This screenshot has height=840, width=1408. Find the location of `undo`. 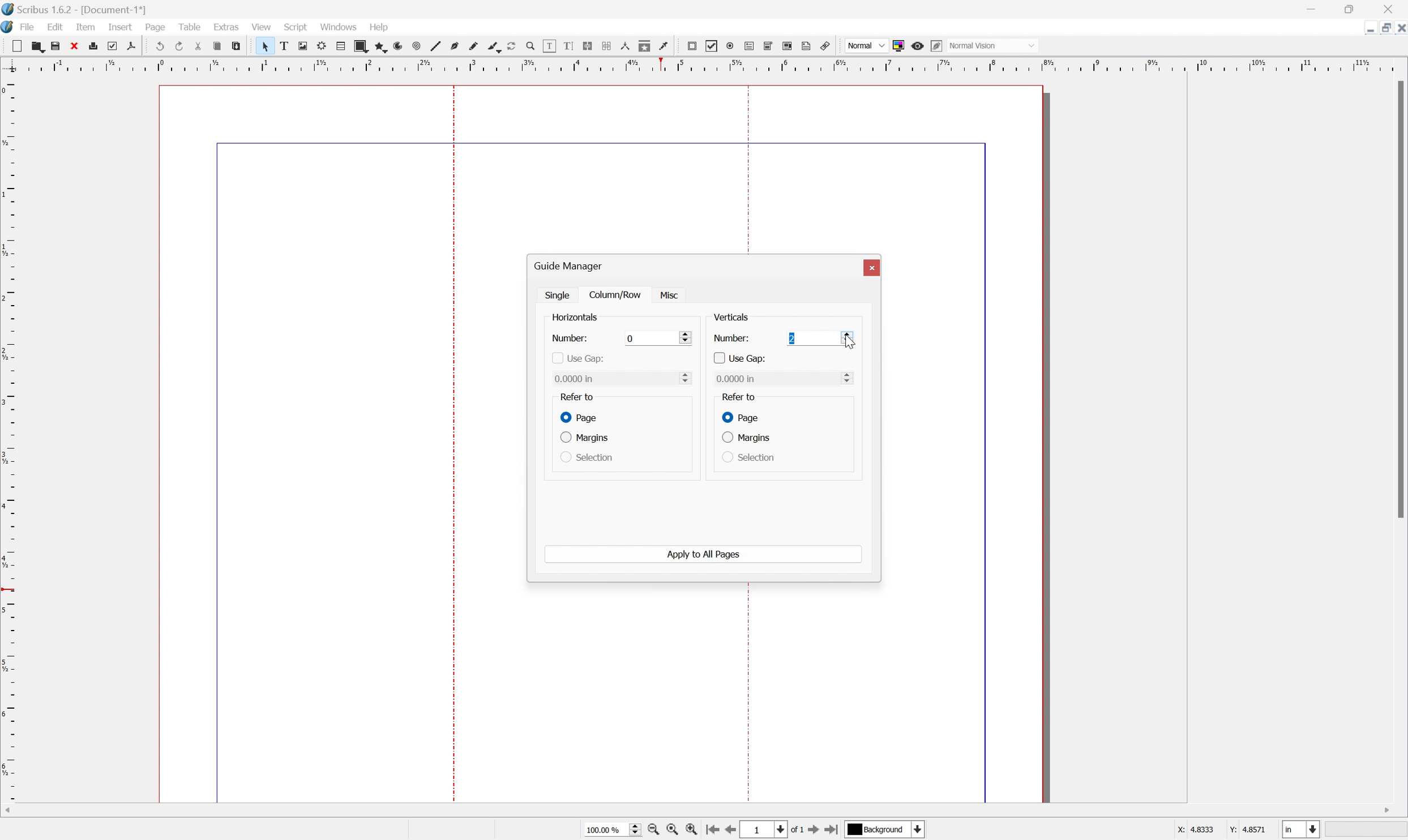

undo is located at coordinates (157, 44).